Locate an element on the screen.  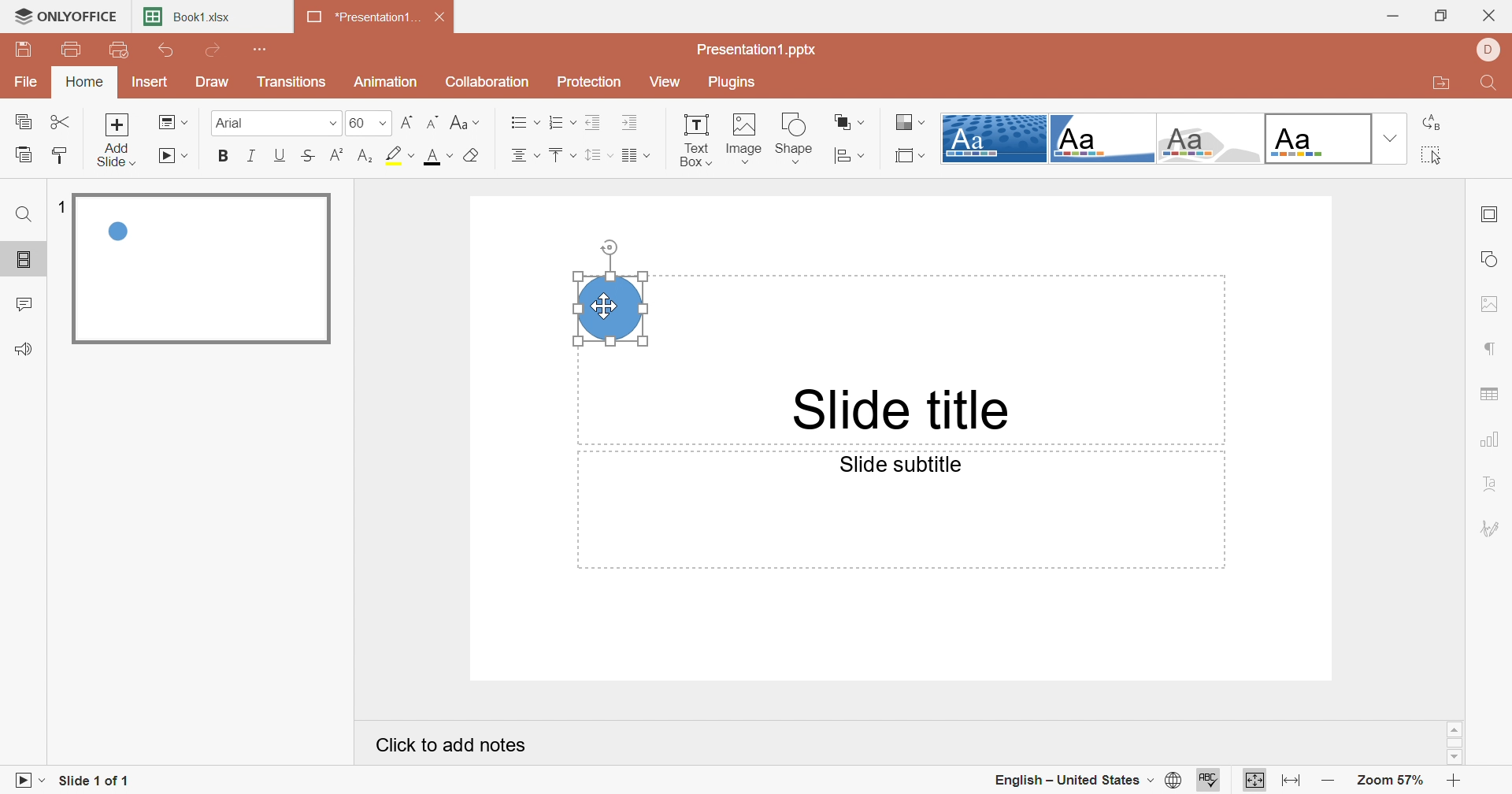
Shape settings is located at coordinates (1492, 258).